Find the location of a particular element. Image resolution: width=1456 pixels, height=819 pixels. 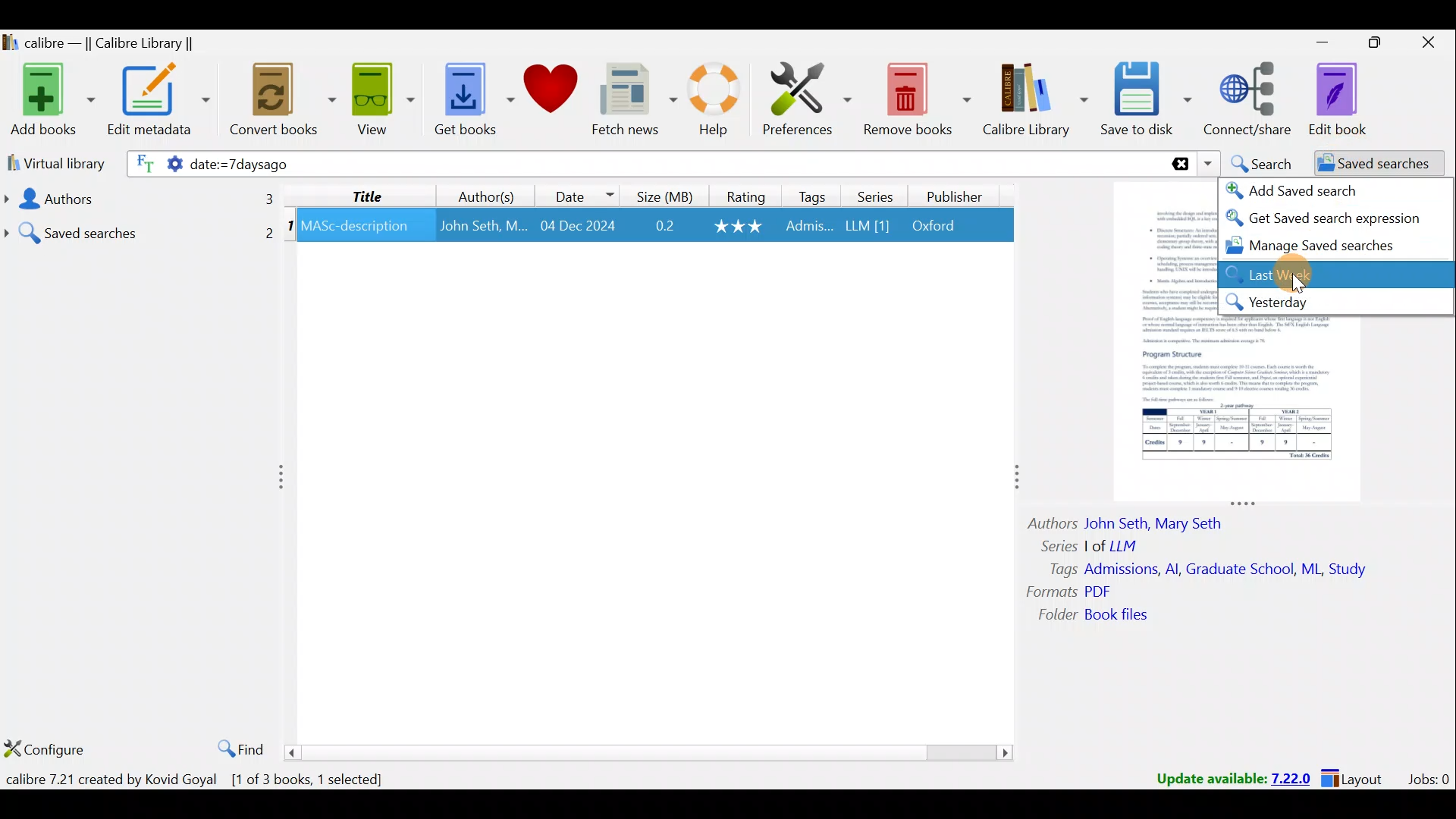

Jobs:0 is located at coordinates (1428, 778).